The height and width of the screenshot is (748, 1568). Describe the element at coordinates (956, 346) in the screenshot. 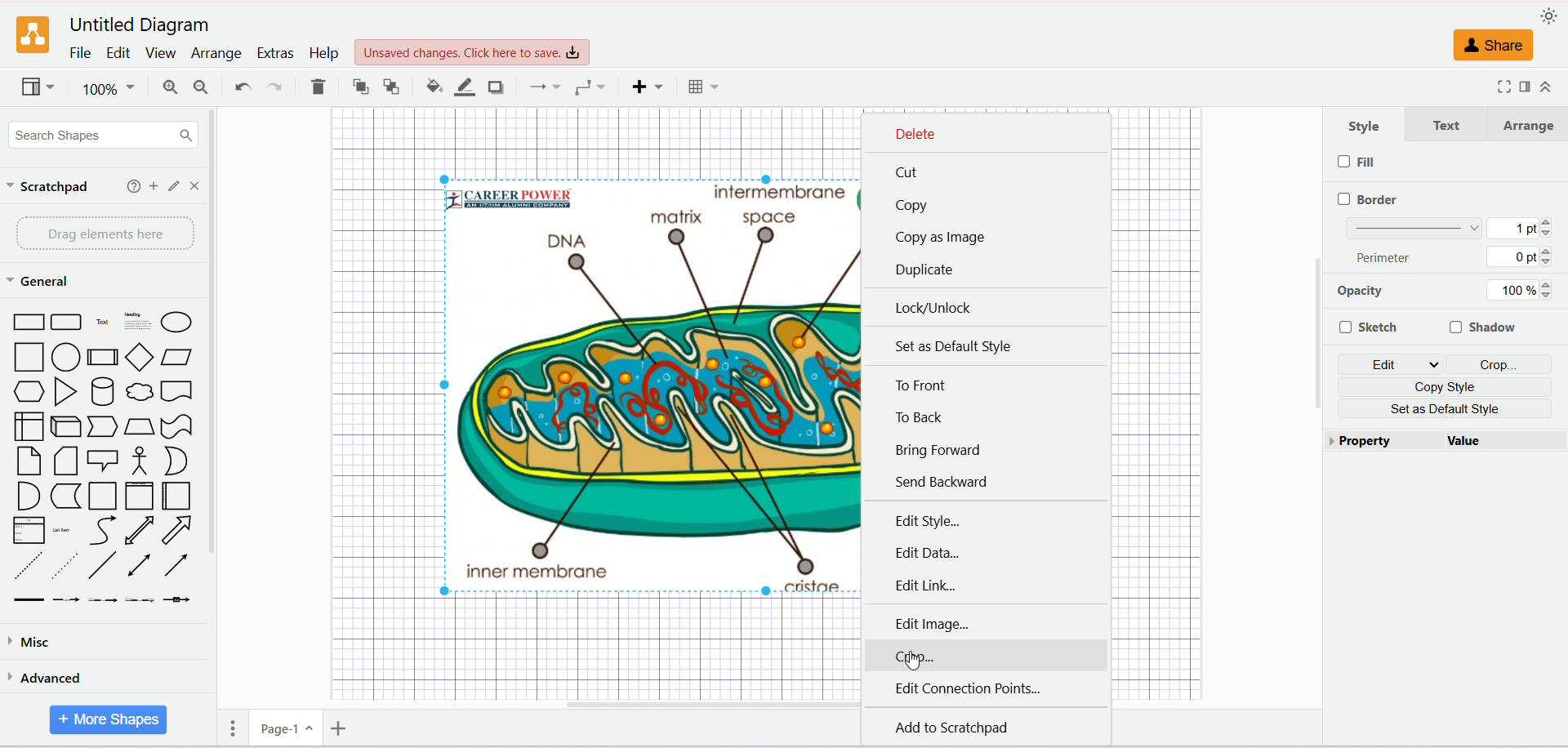

I see `set as default style` at that location.